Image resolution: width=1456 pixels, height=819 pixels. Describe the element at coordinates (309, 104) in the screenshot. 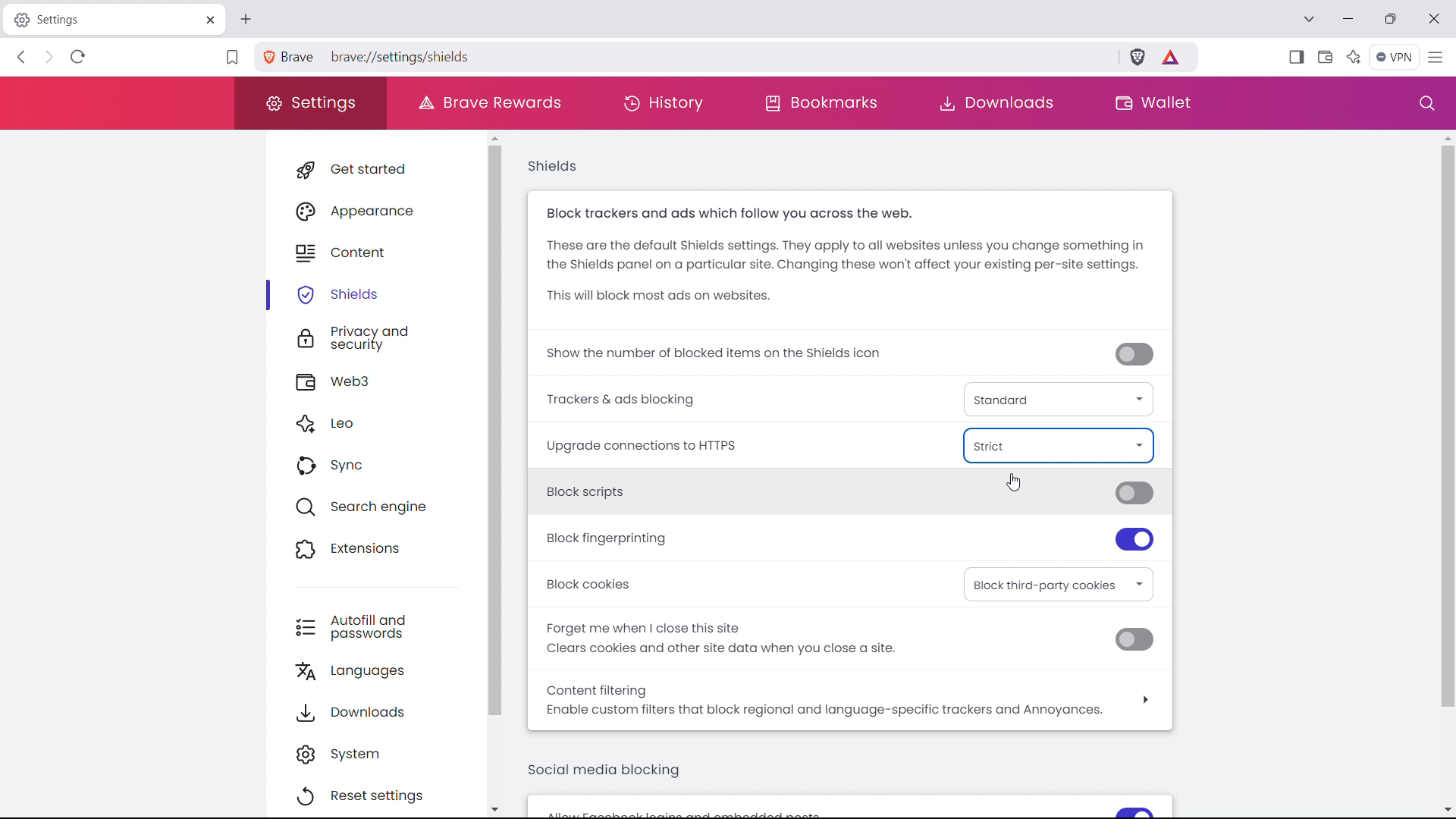

I see `settings` at that location.